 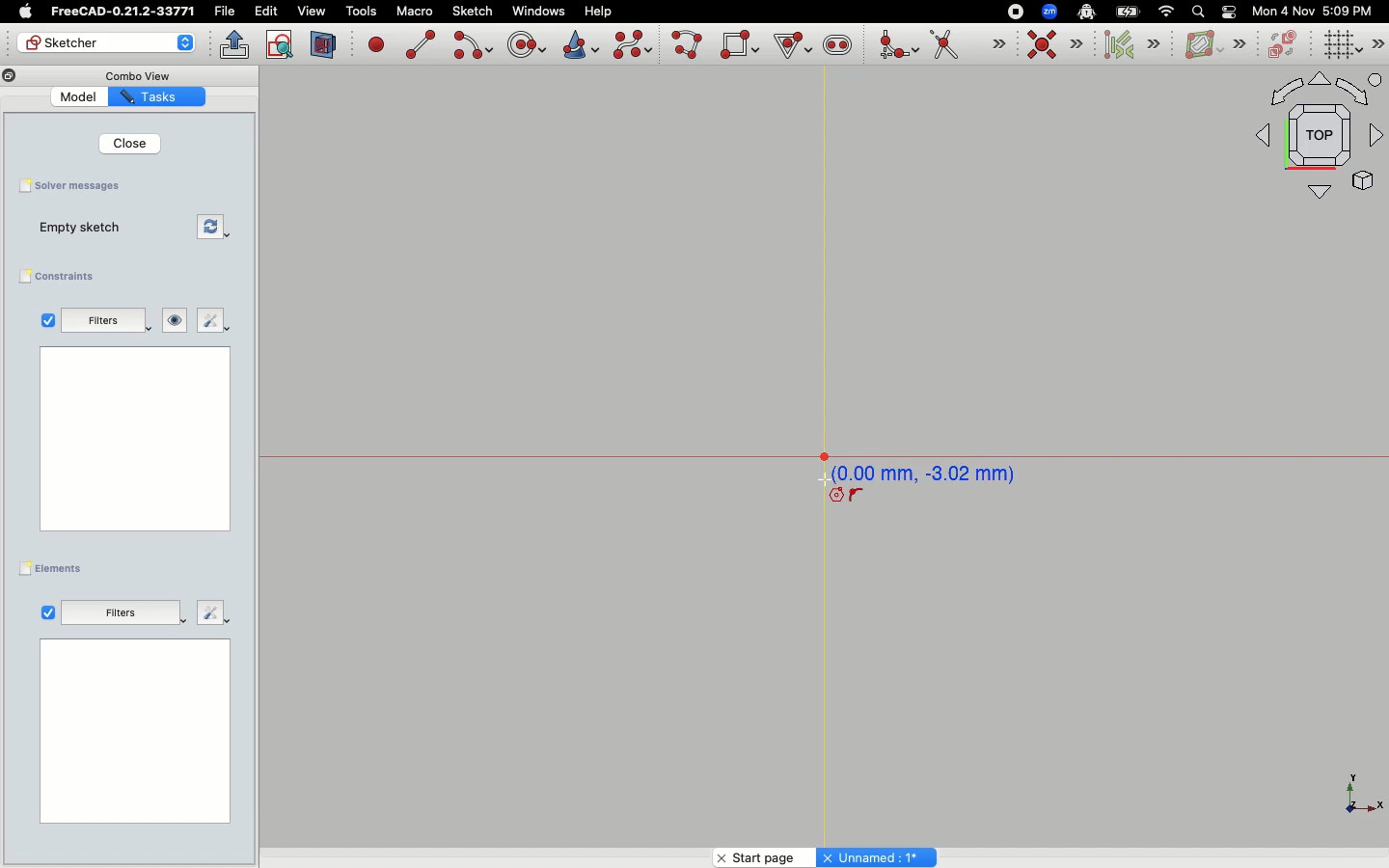 I want to click on Blank page, so click(x=134, y=438).